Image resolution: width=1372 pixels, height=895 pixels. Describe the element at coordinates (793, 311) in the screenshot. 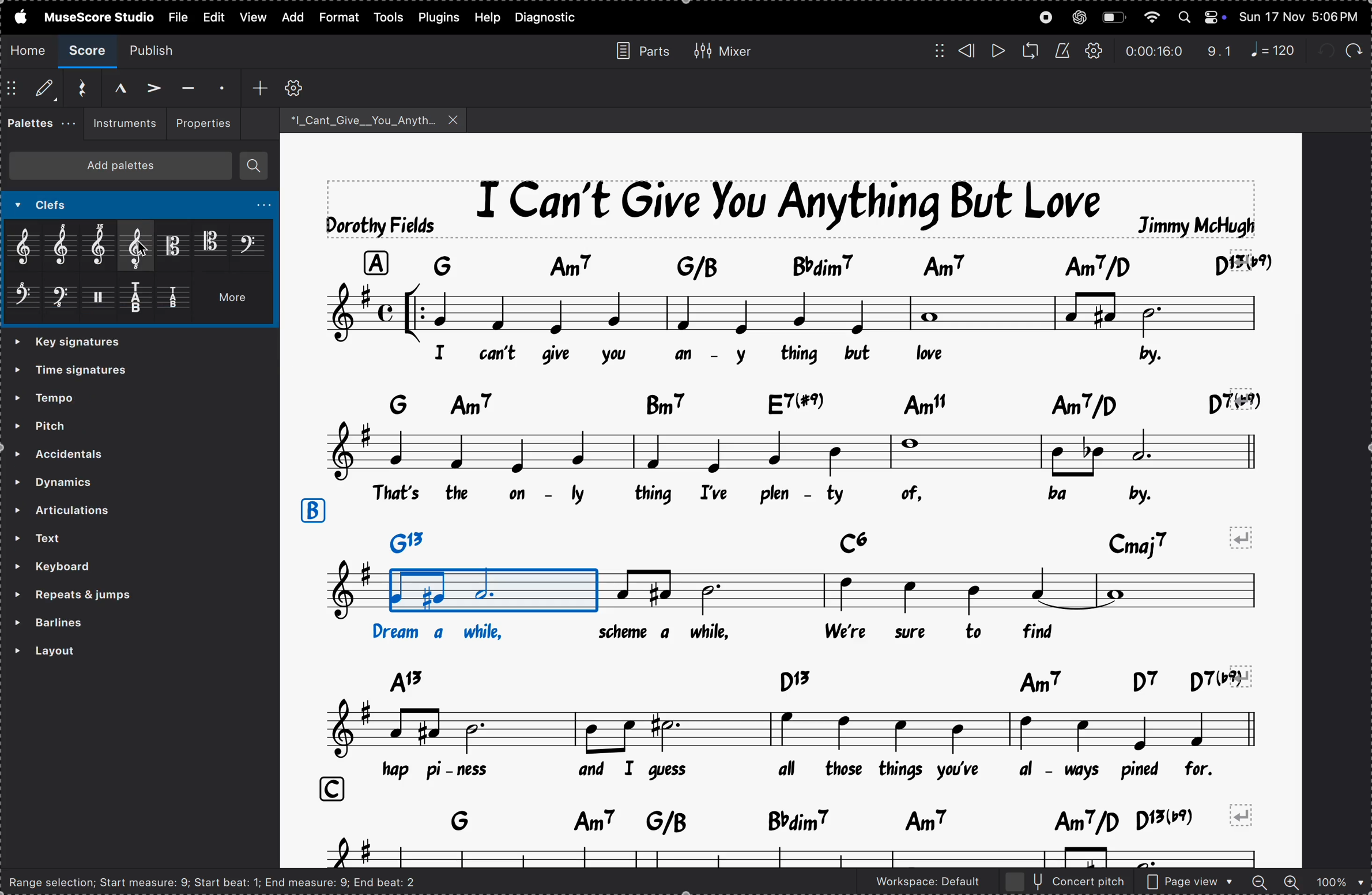

I see `notes` at that location.